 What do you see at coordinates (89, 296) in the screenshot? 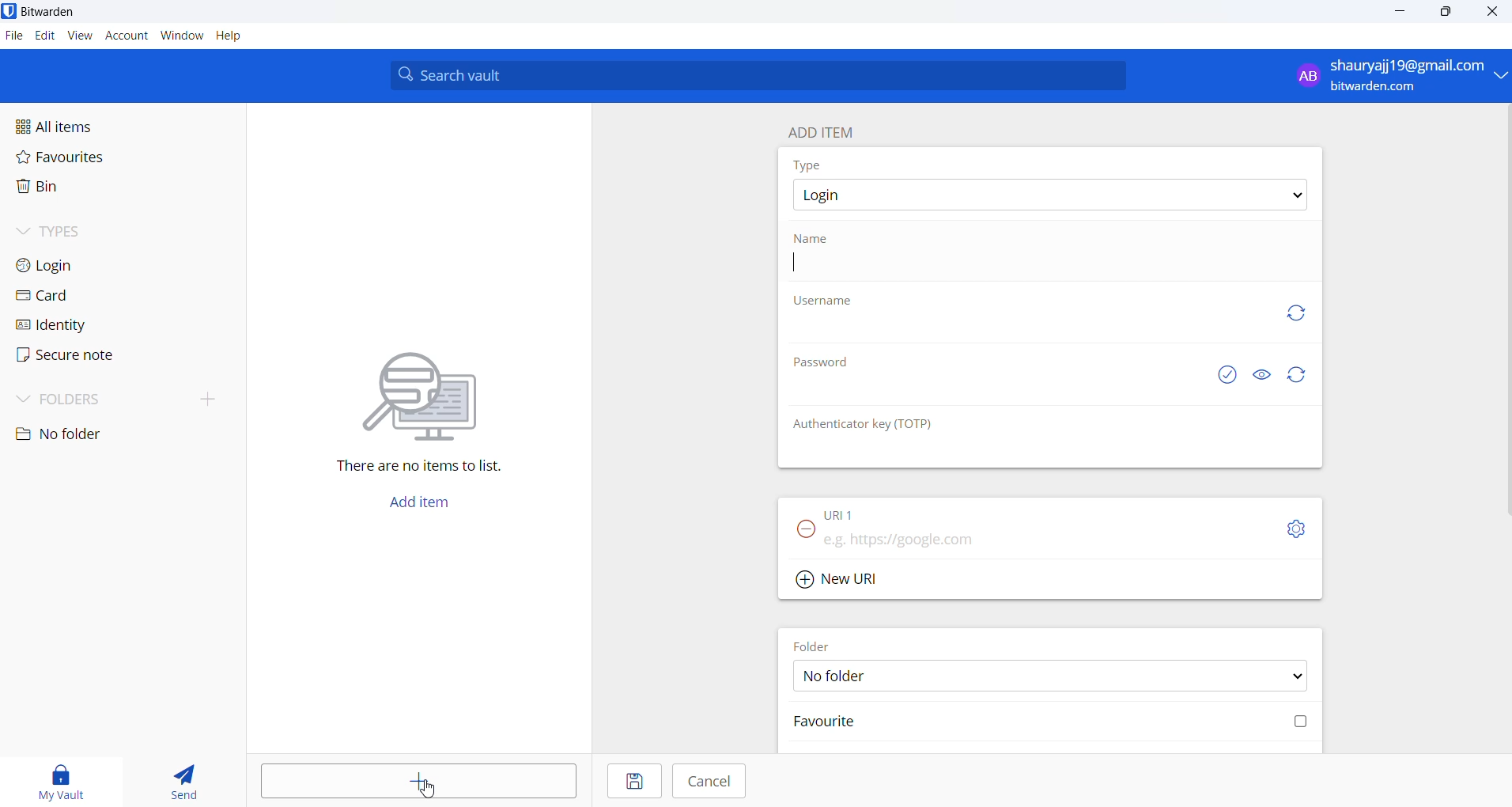
I see `card` at bounding box center [89, 296].